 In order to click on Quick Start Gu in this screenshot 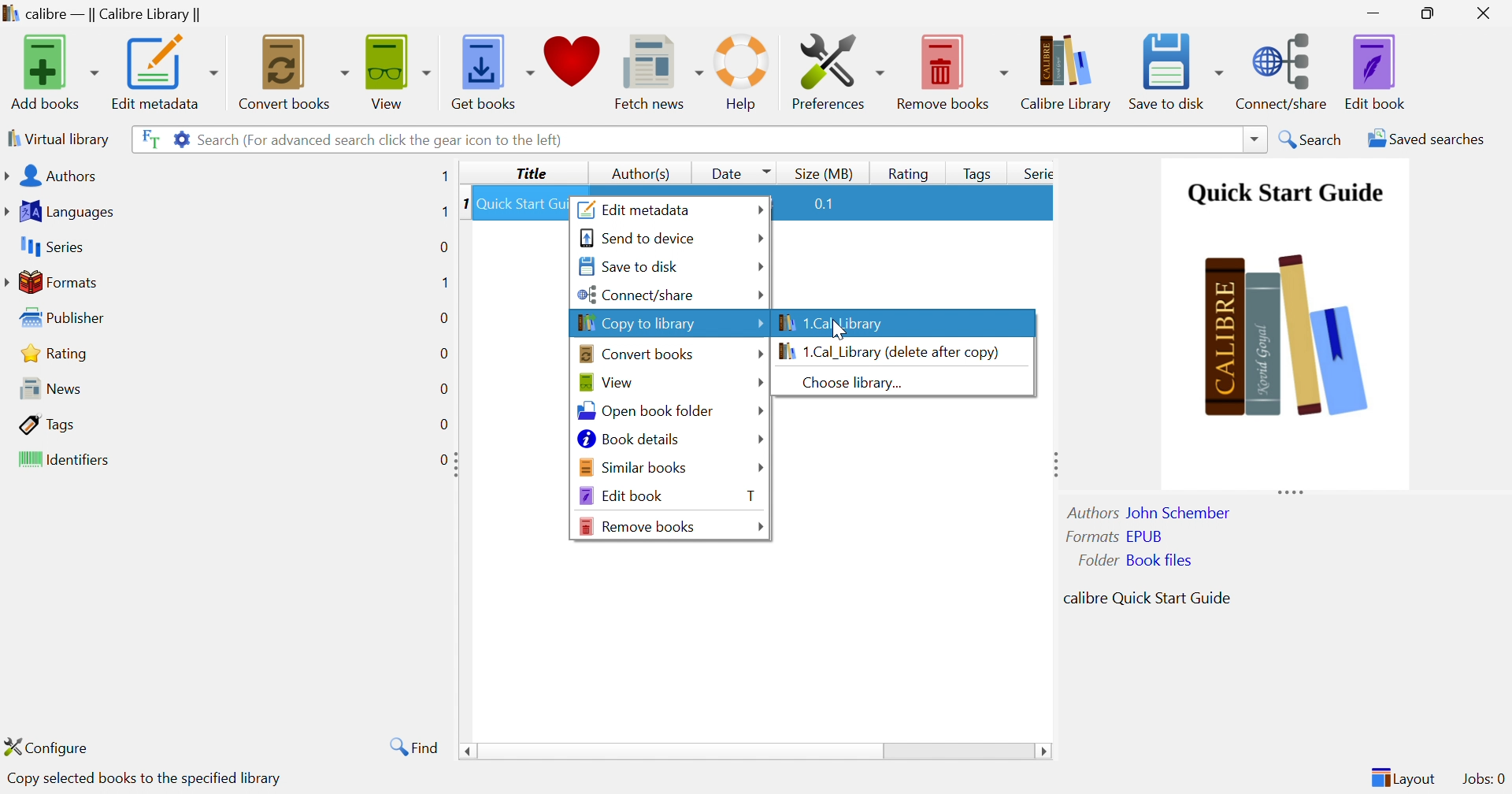, I will do `click(521, 205)`.